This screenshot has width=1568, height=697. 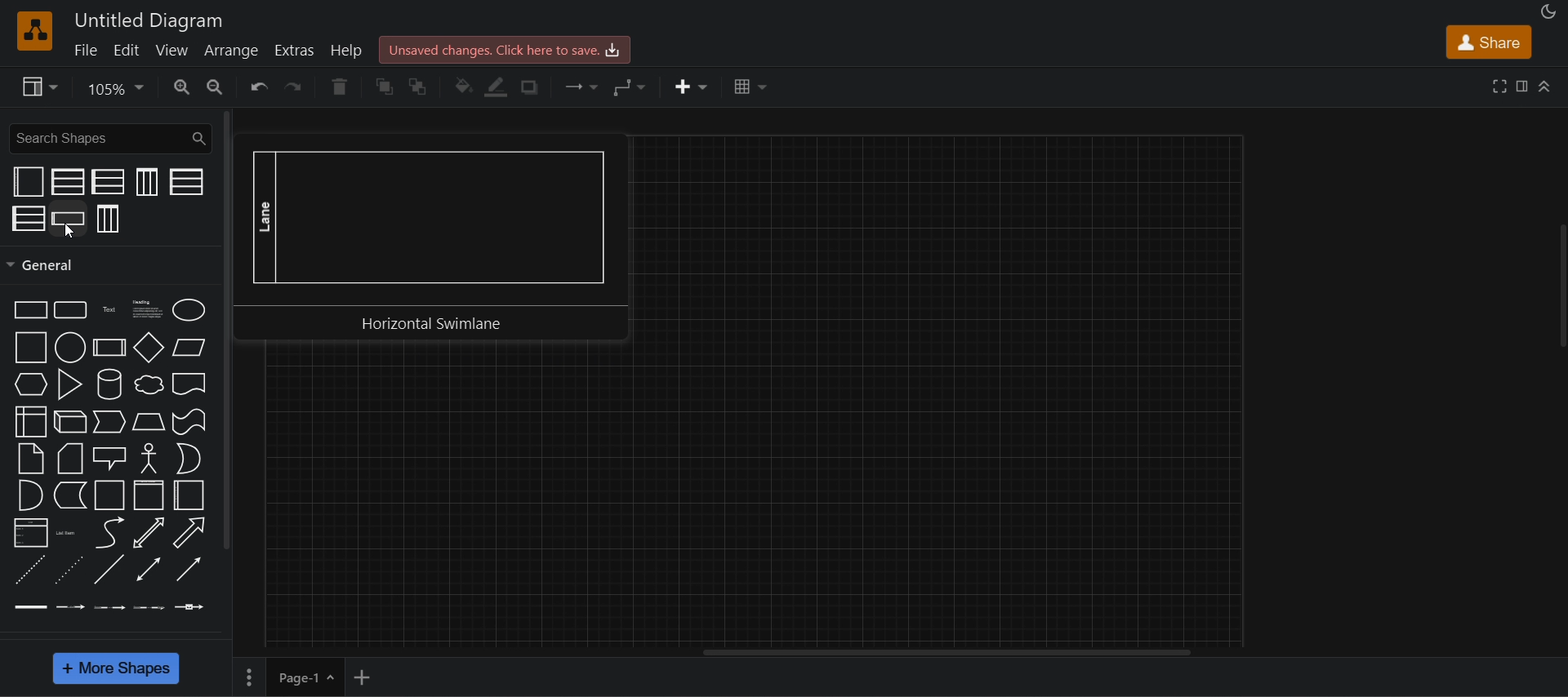 What do you see at coordinates (29, 181) in the screenshot?
I see `container` at bounding box center [29, 181].